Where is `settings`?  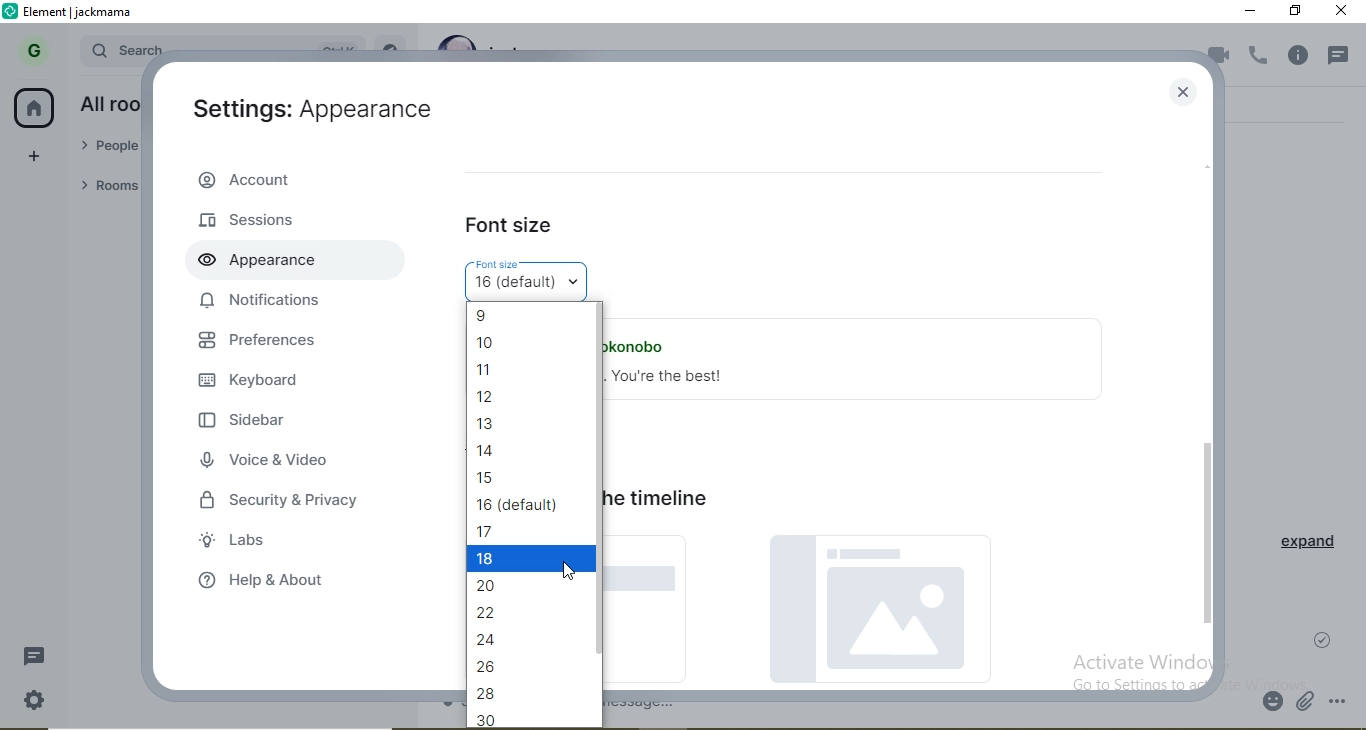 settings is located at coordinates (34, 700).